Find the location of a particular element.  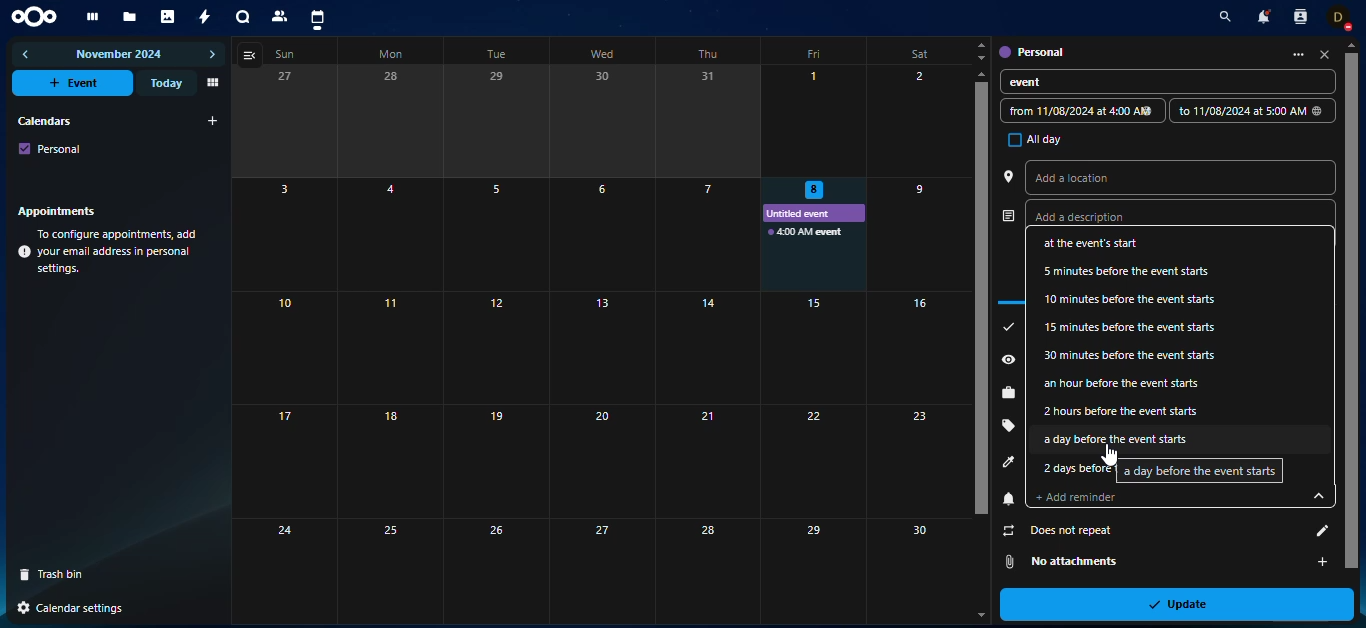

share is located at coordinates (1008, 358).